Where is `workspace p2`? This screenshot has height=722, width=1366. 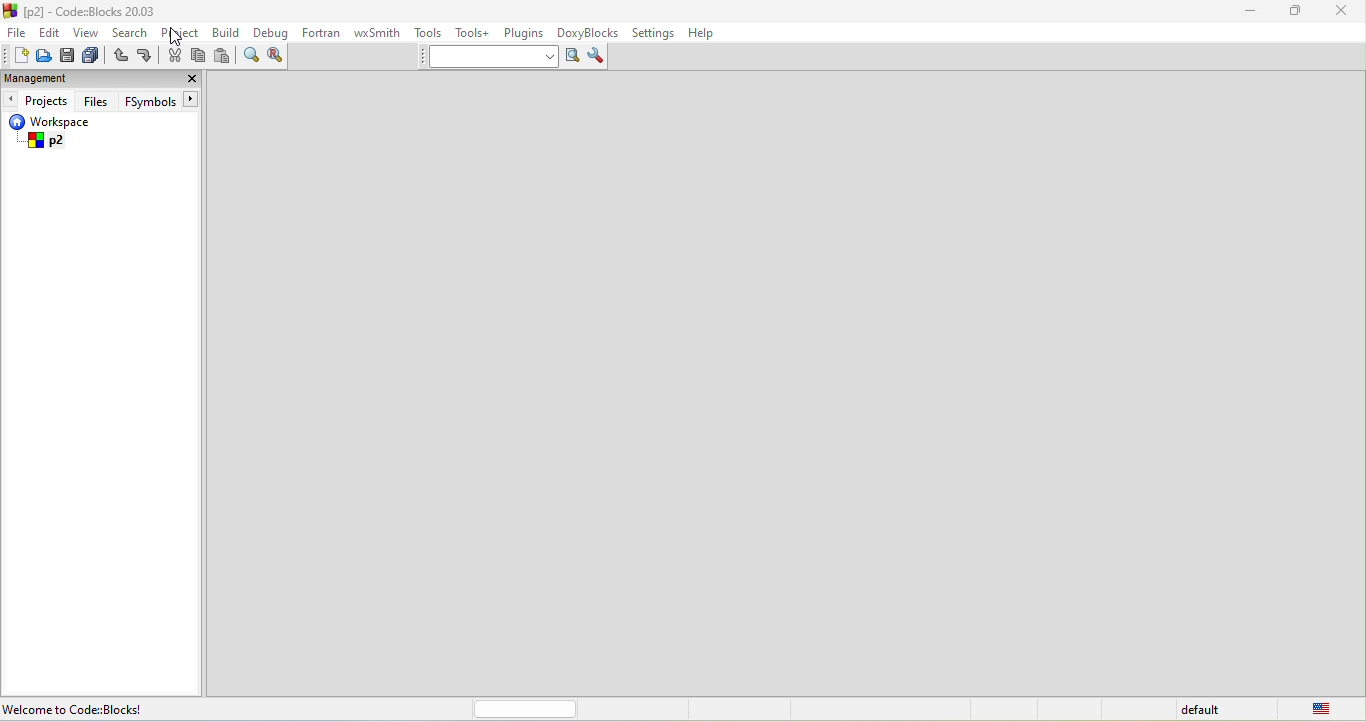
workspace p2 is located at coordinates (63, 134).